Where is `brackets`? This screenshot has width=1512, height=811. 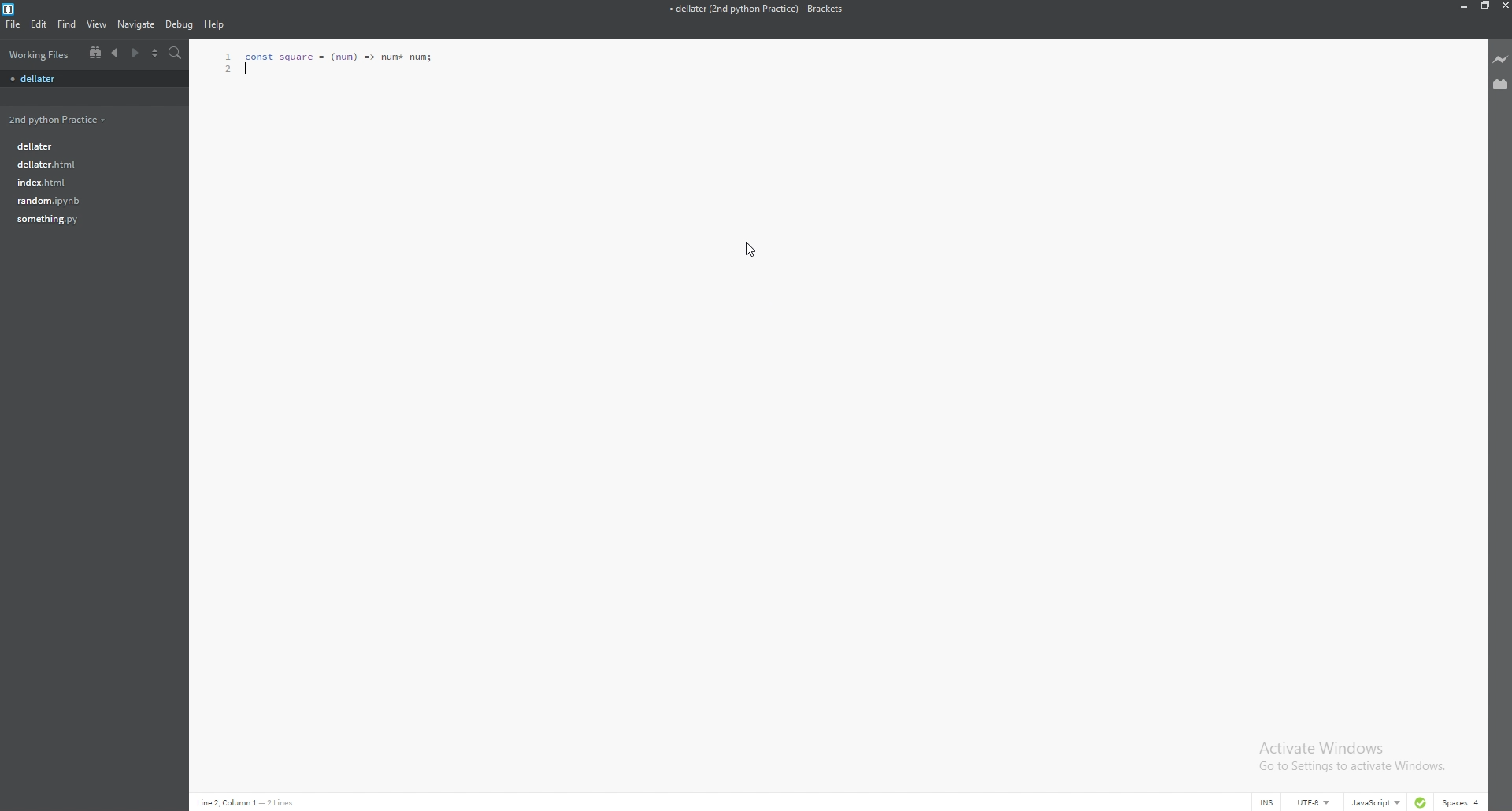
brackets is located at coordinates (9, 9).